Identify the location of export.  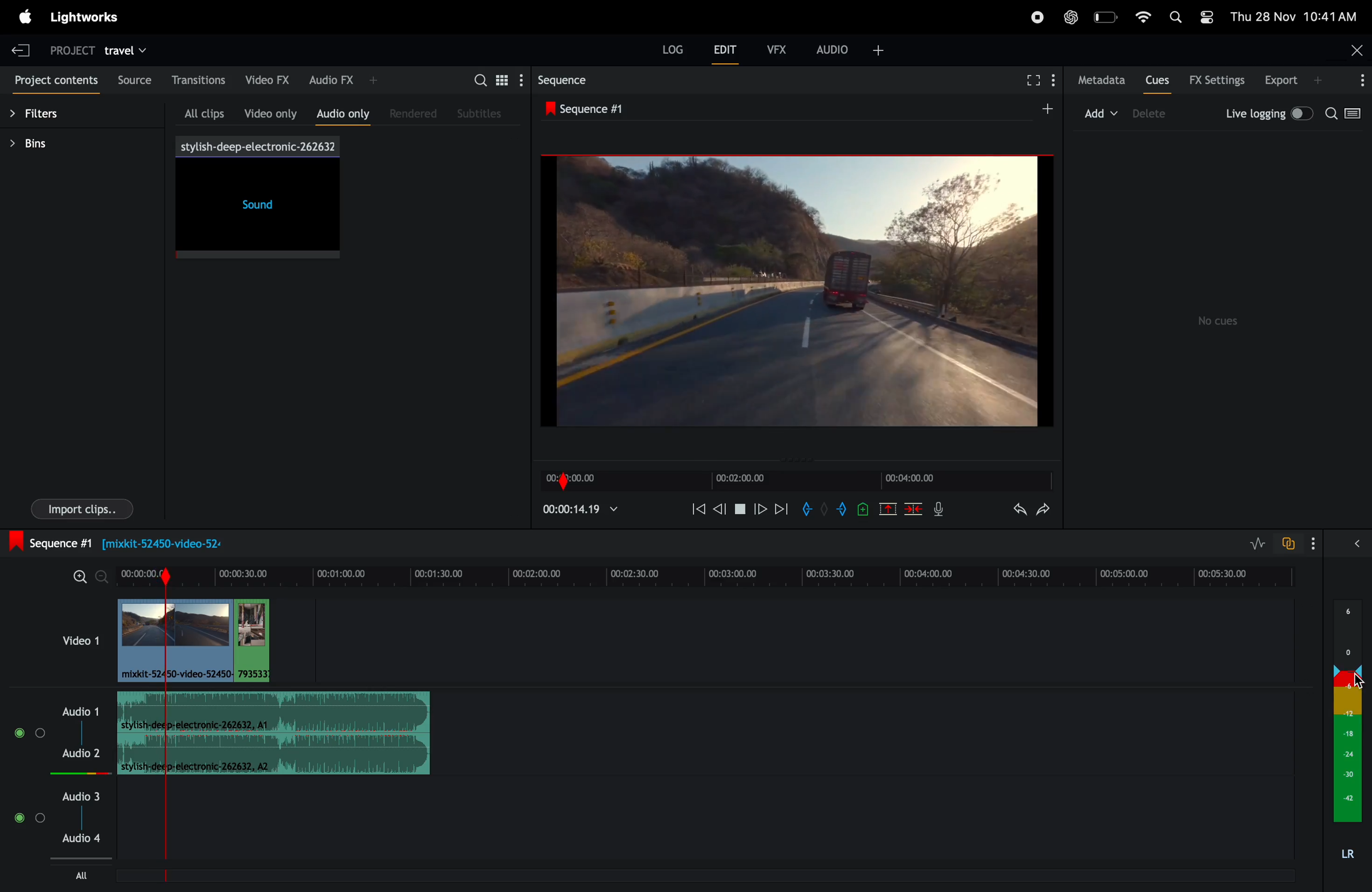
(1294, 80).